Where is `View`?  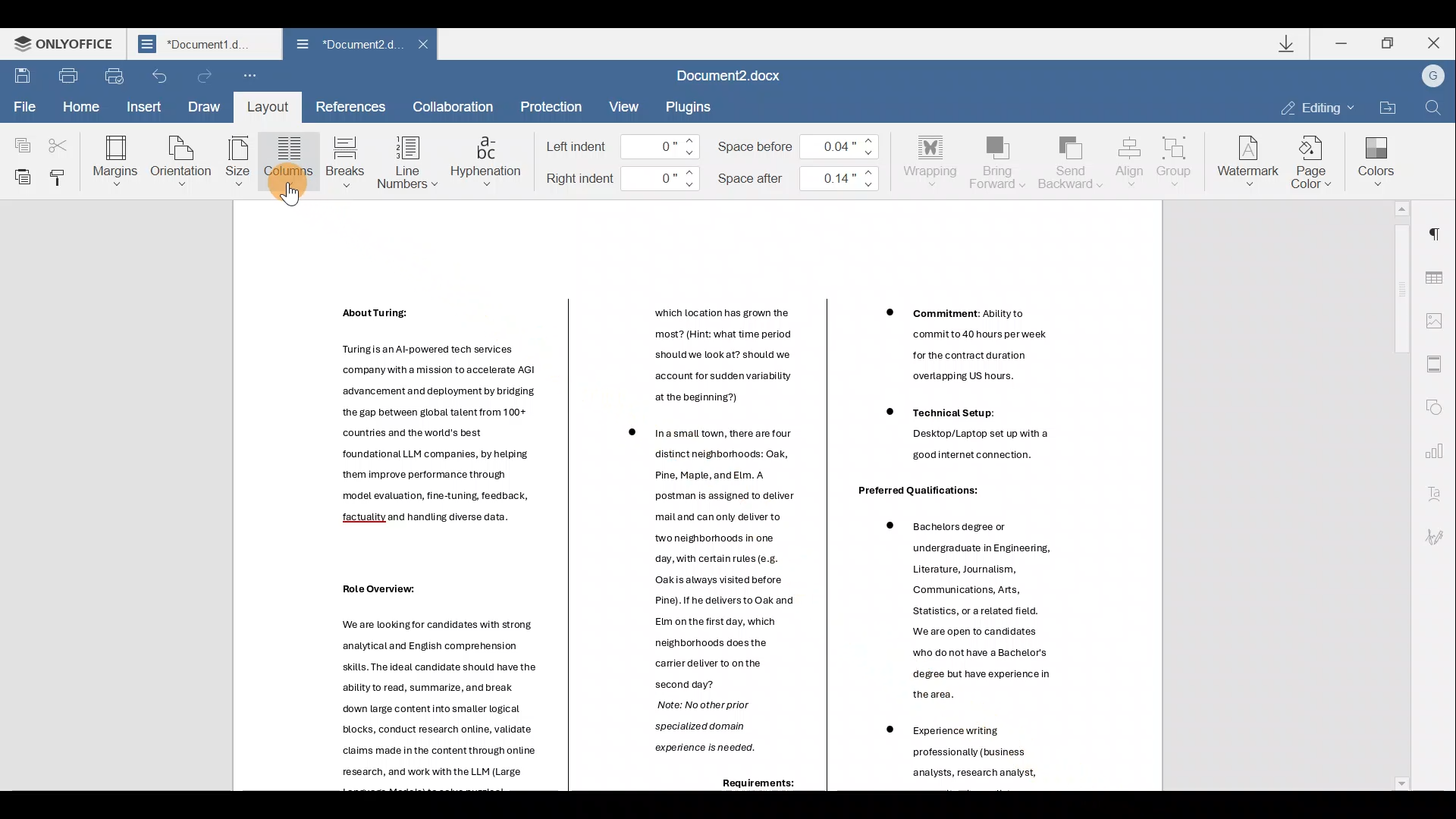
View is located at coordinates (625, 106).